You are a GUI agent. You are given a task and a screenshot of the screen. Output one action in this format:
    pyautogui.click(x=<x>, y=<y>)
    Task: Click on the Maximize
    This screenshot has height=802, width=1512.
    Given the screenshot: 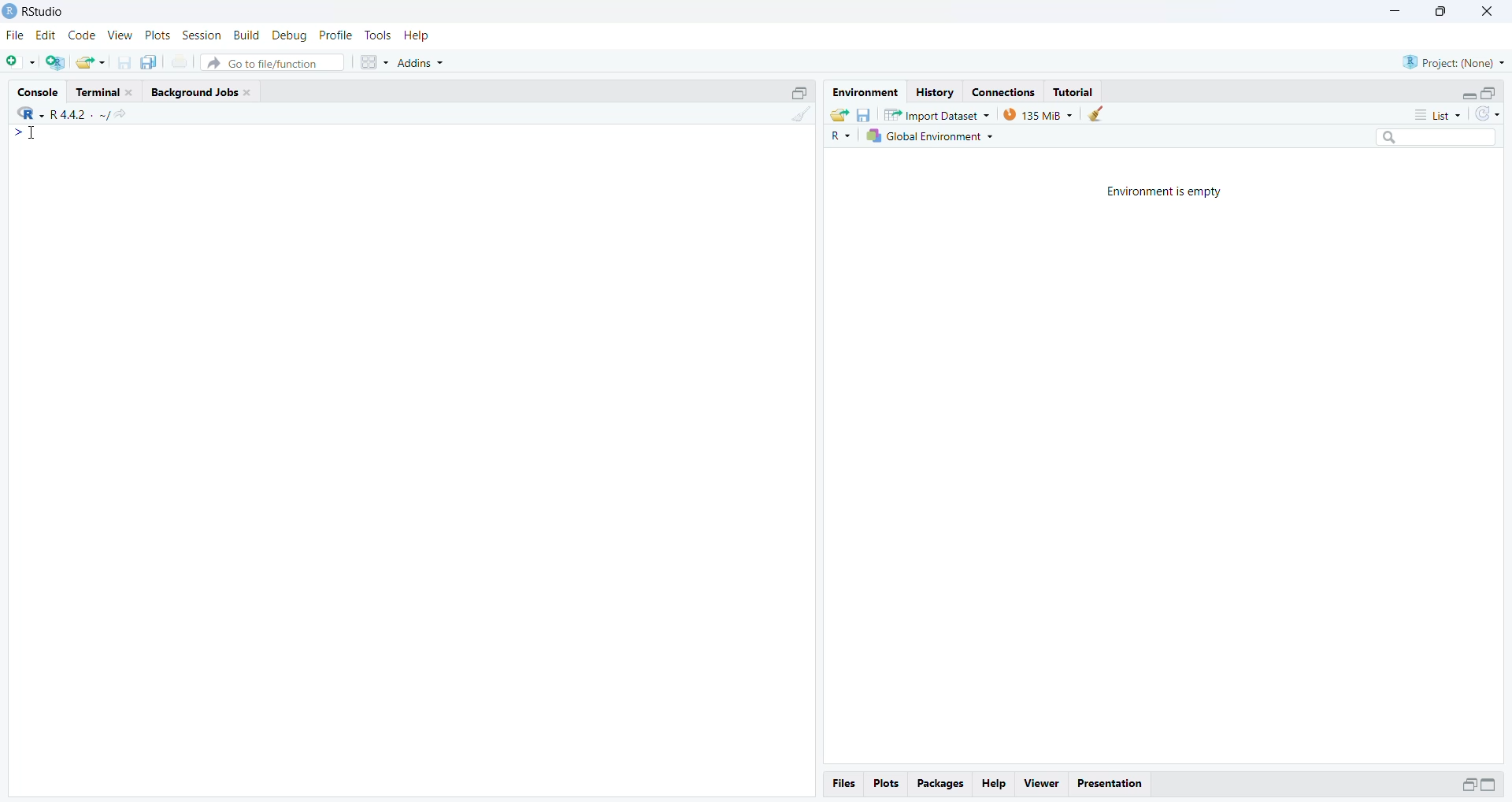 What is the action you would take?
    pyautogui.click(x=801, y=91)
    